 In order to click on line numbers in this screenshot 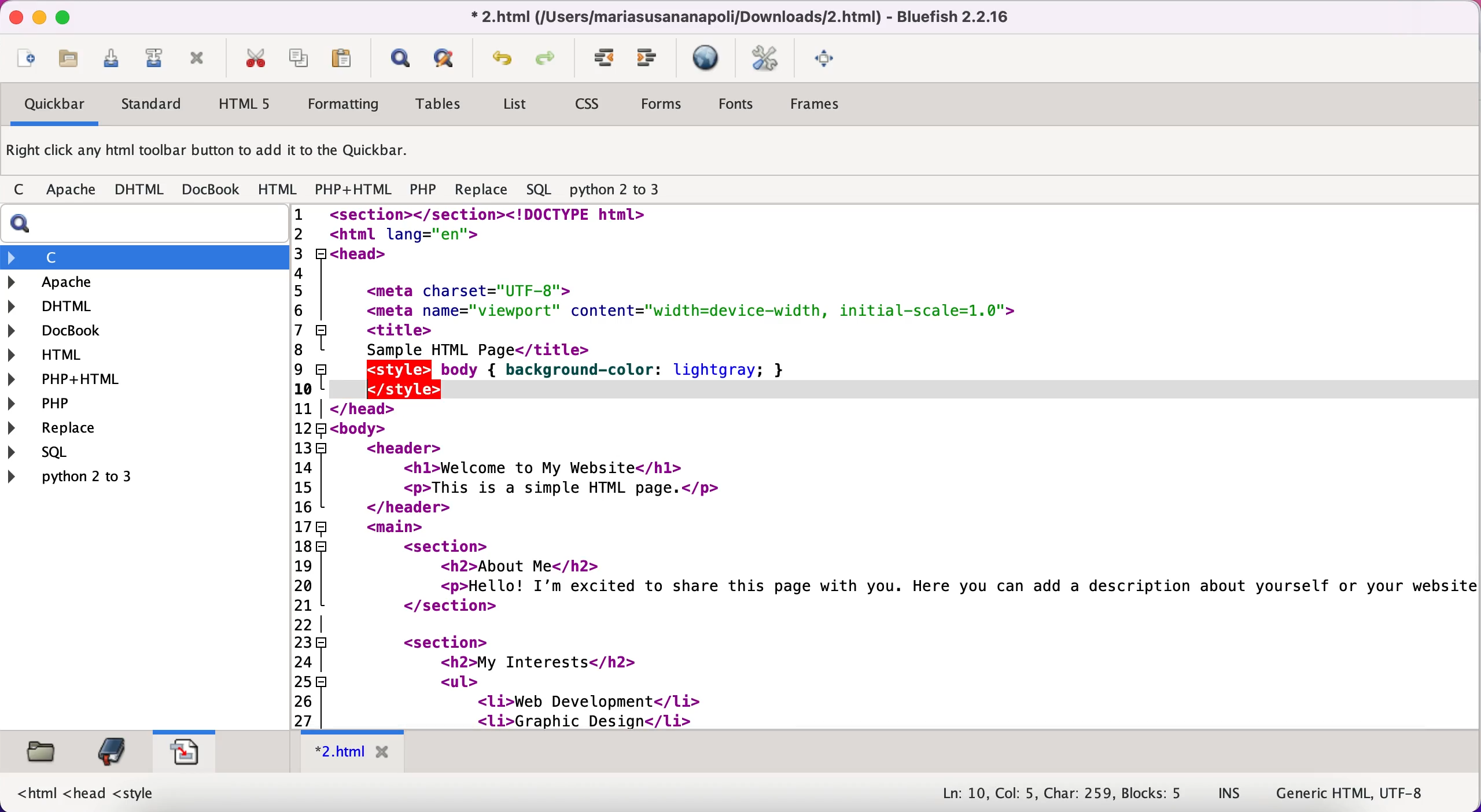, I will do `click(309, 466)`.